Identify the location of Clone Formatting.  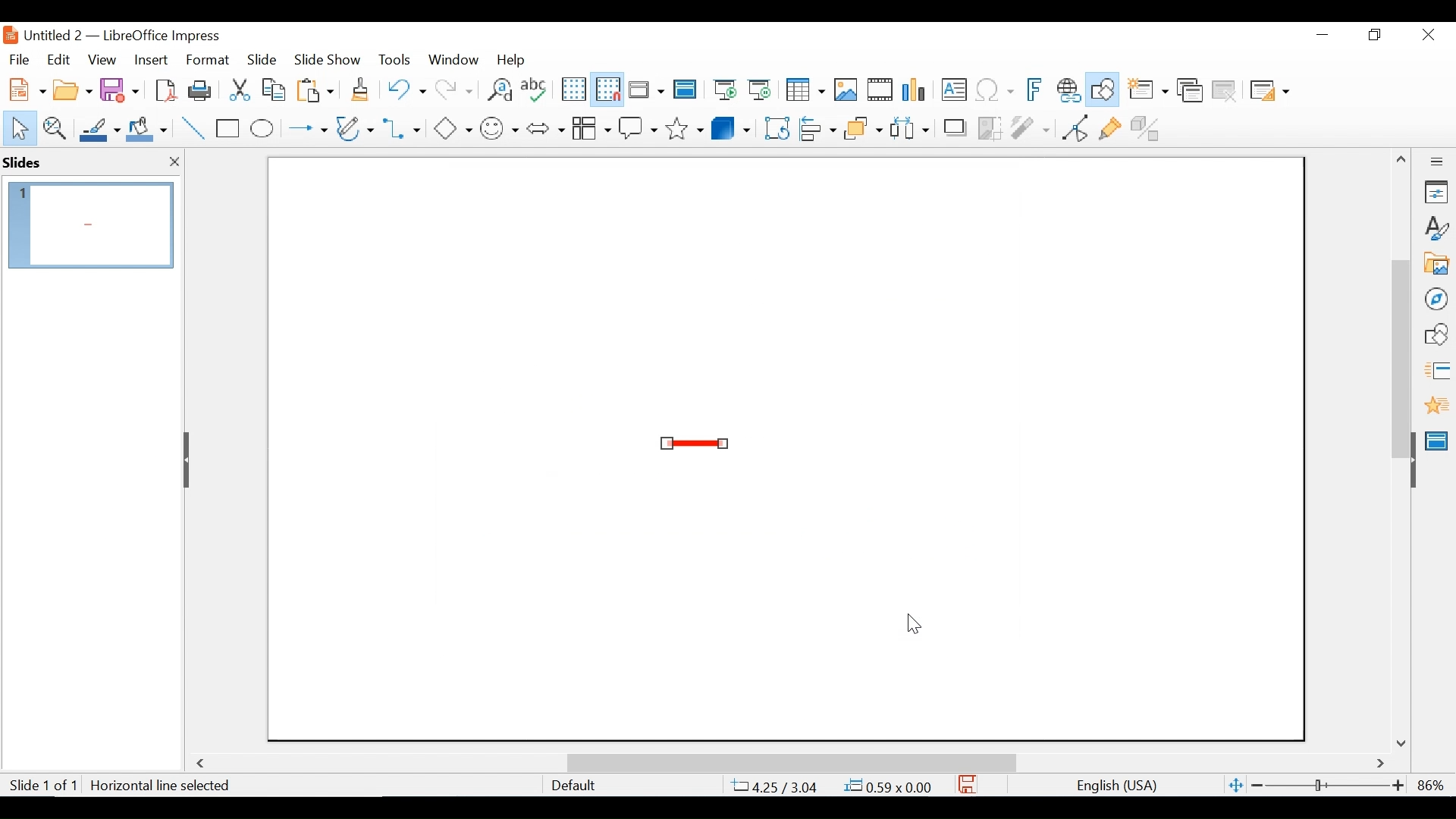
(362, 89).